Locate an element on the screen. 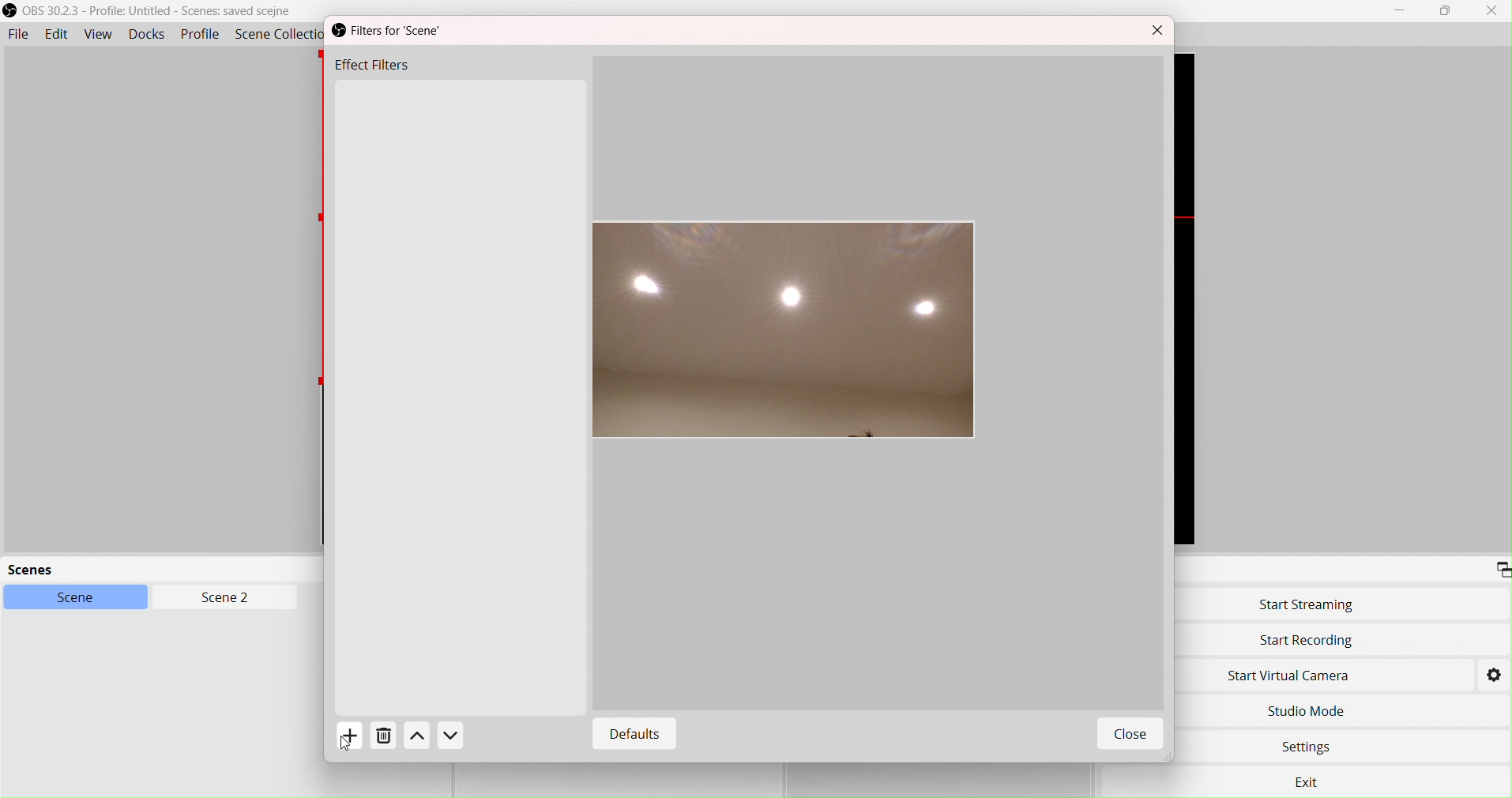 Image resolution: width=1512 pixels, height=798 pixels. File is located at coordinates (18, 35).